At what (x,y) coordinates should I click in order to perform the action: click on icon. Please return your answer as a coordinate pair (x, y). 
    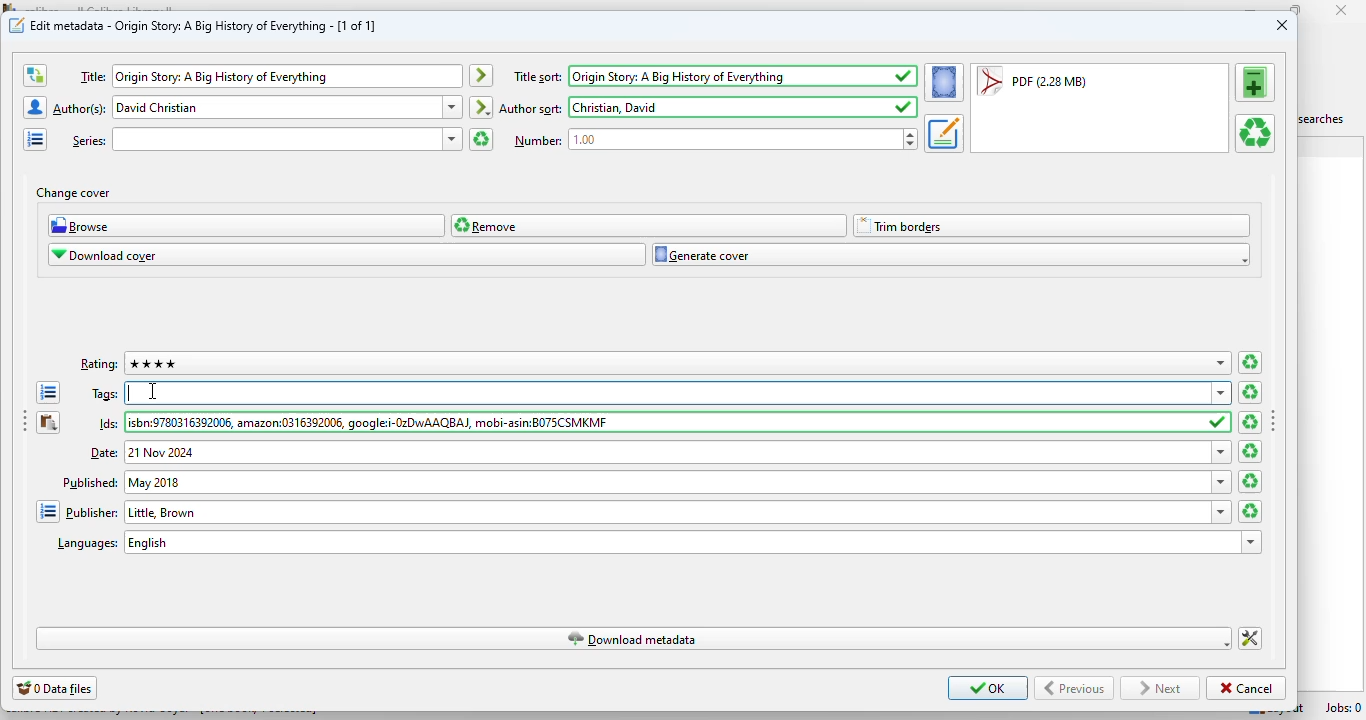
    Looking at the image, I should click on (17, 25).